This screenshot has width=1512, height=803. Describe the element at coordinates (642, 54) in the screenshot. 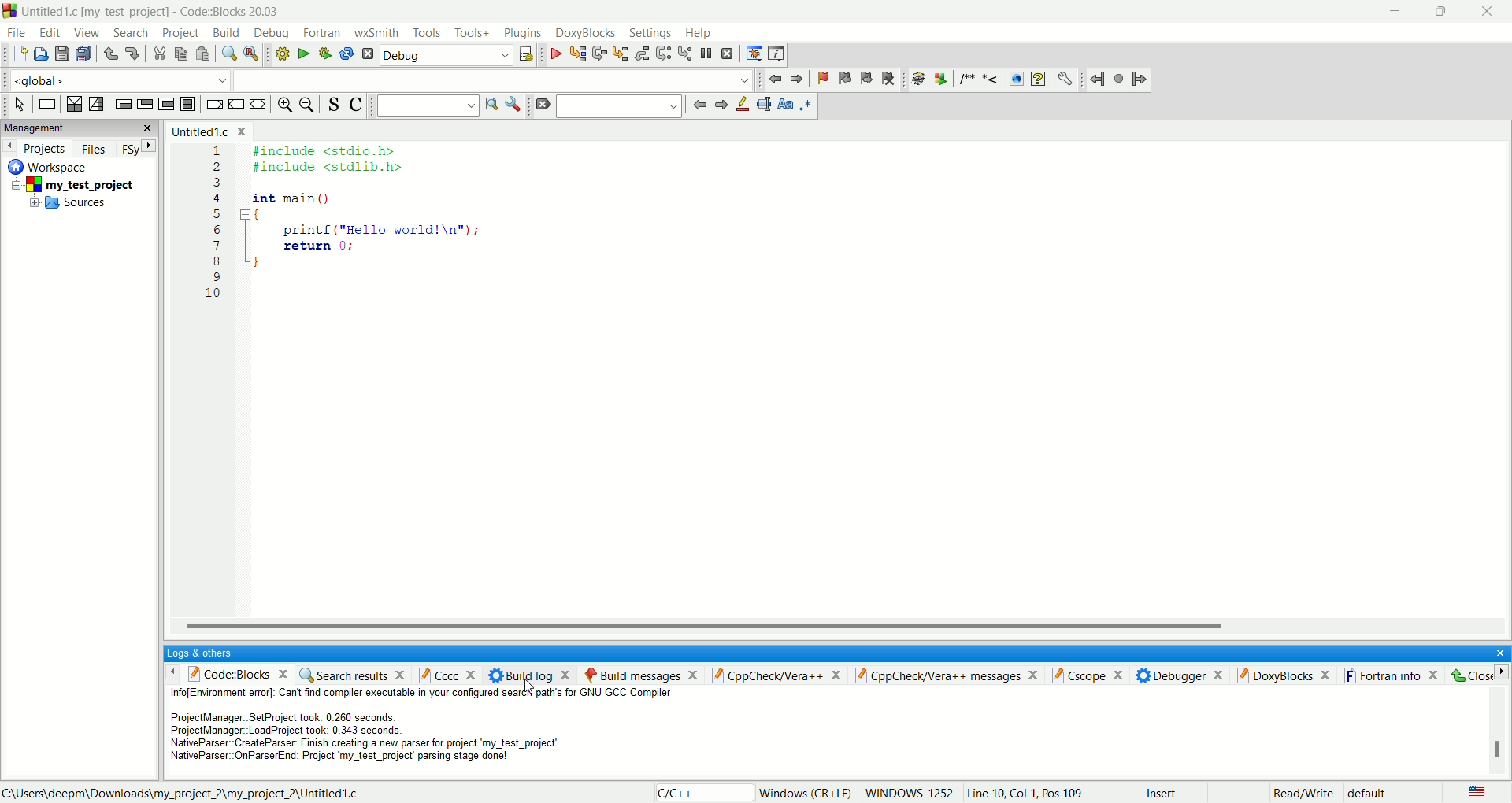

I see `step out` at that location.